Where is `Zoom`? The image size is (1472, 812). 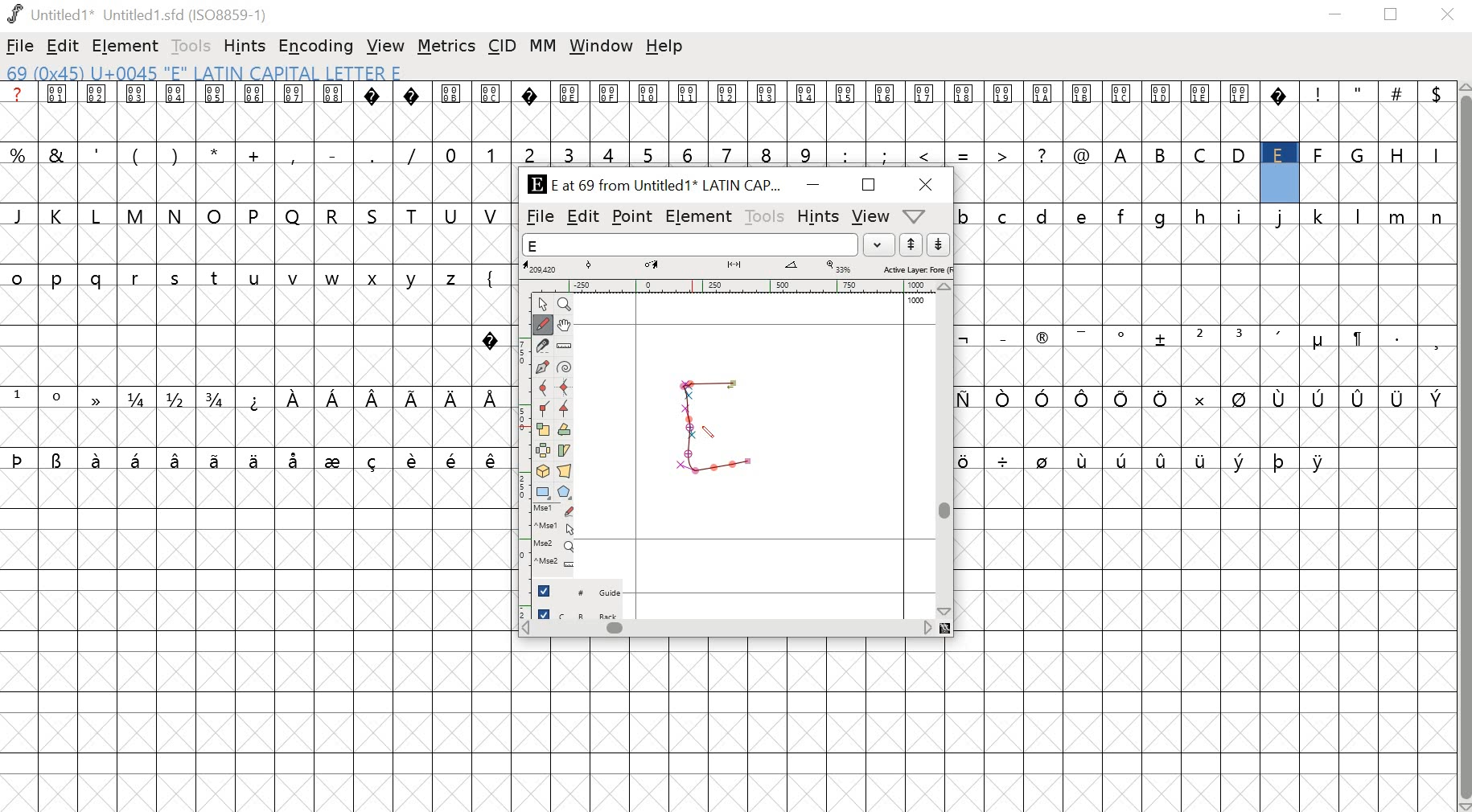
Zoom is located at coordinates (564, 305).